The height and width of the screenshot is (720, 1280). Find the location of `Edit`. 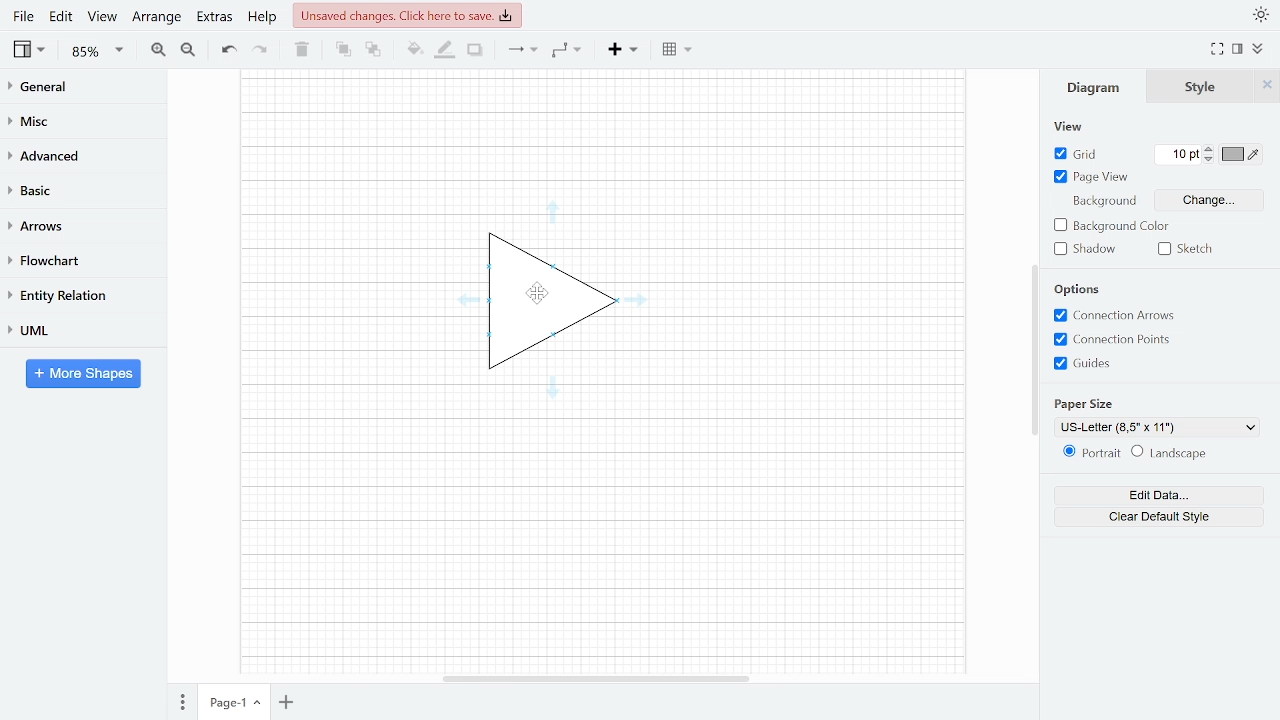

Edit is located at coordinates (62, 16).